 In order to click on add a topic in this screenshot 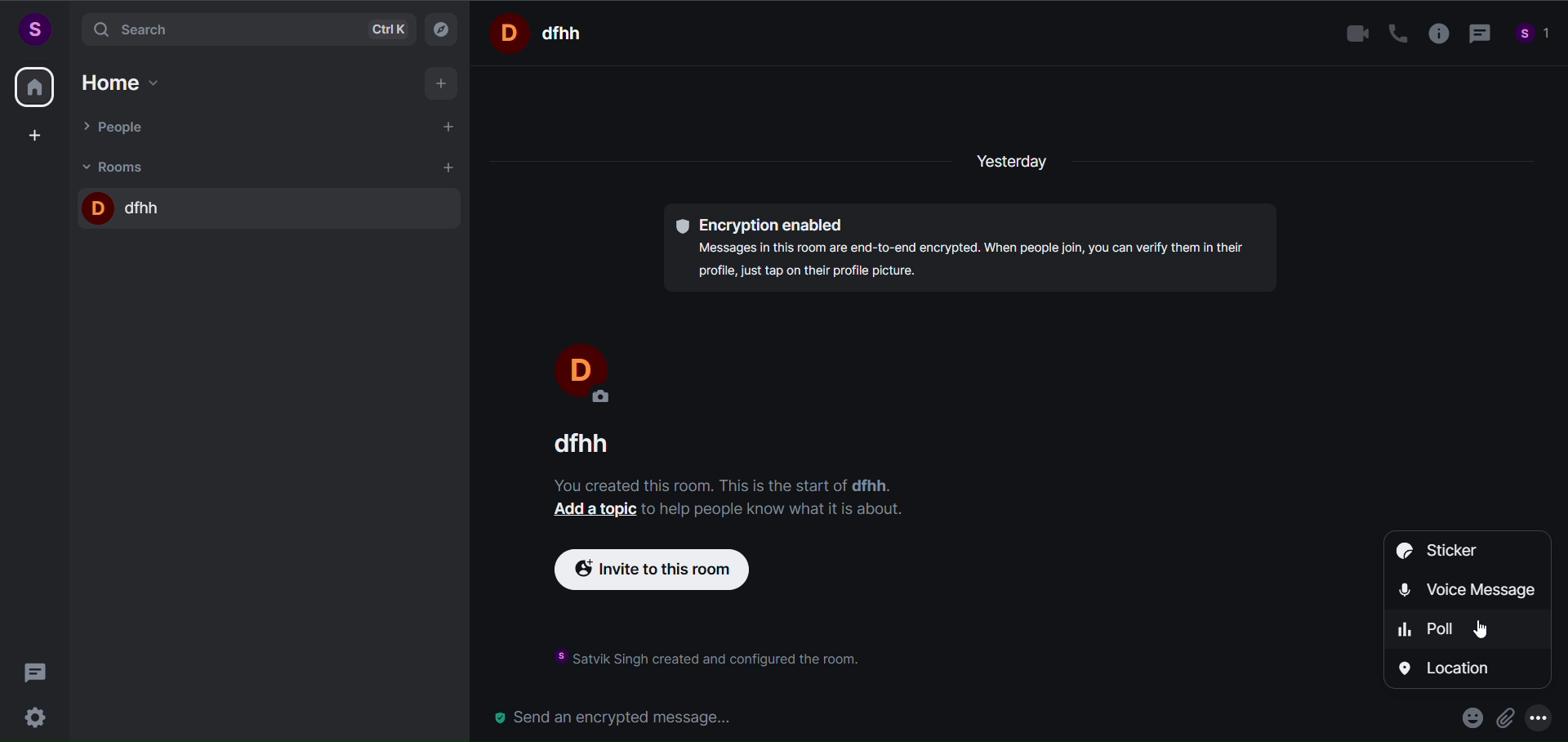, I will do `click(592, 514)`.